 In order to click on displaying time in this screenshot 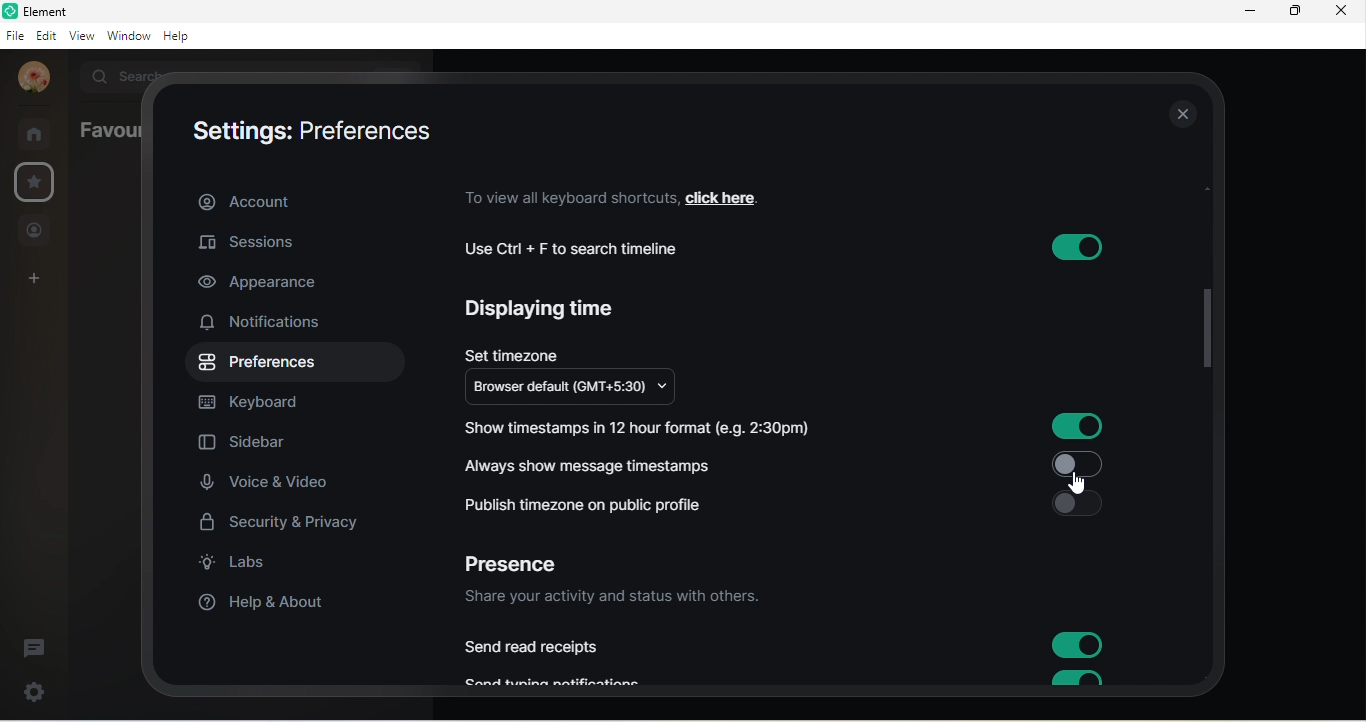, I will do `click(546, 313)`.